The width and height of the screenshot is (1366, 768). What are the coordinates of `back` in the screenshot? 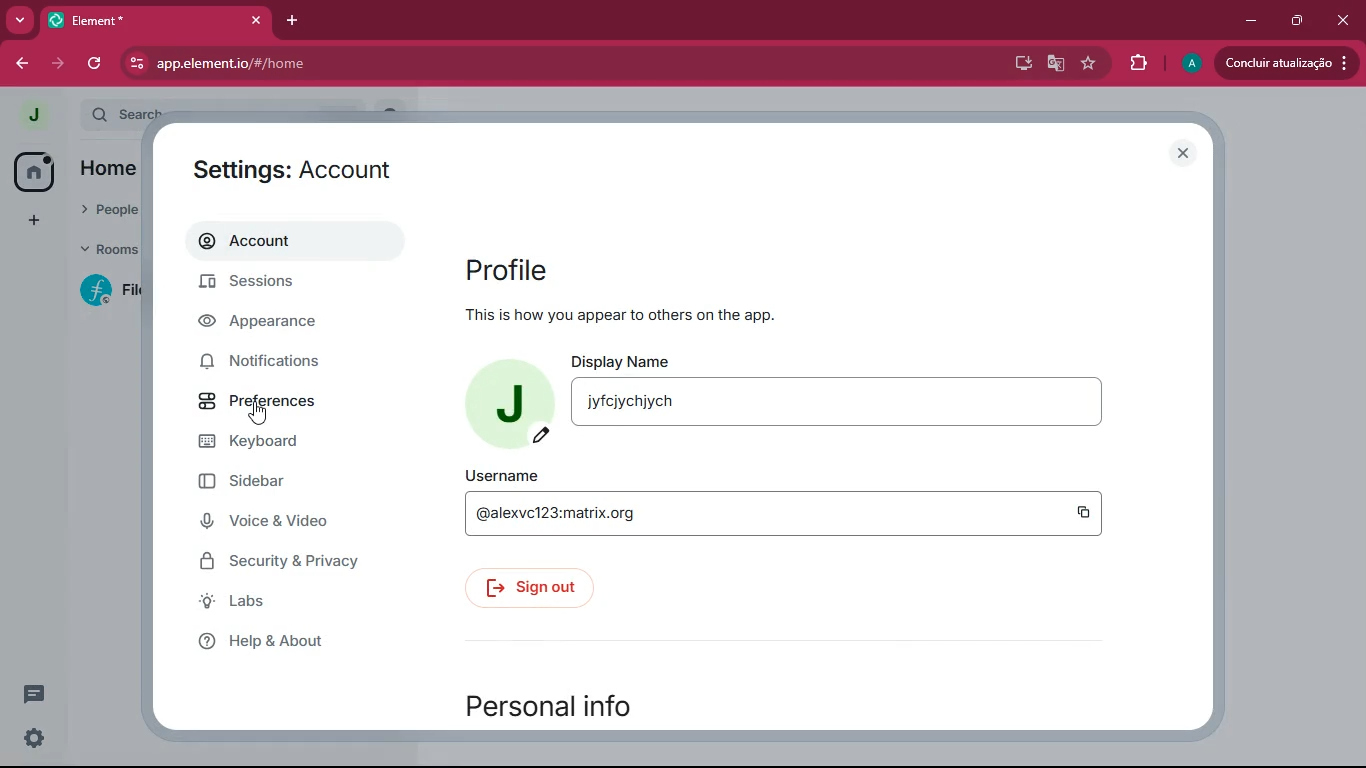 It's located at (25, 64).